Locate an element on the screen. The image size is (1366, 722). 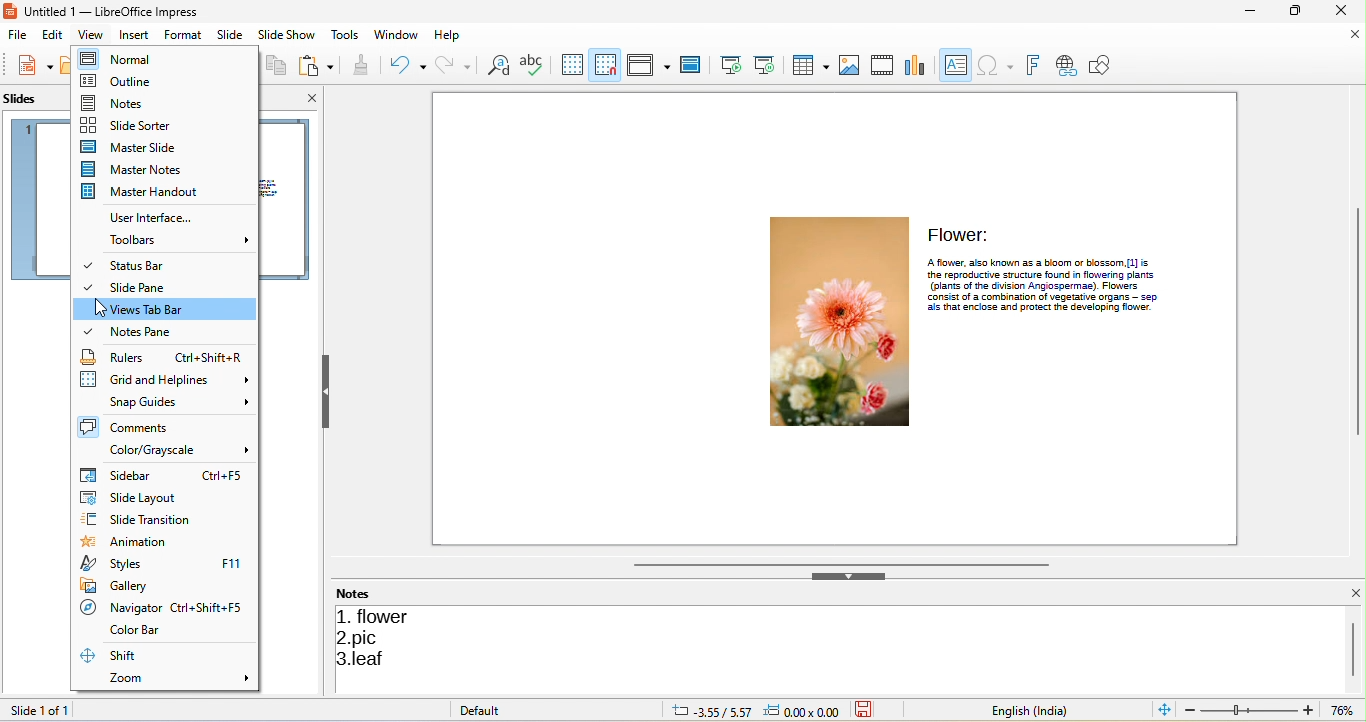
side pane is located at coordinates (149, 288).